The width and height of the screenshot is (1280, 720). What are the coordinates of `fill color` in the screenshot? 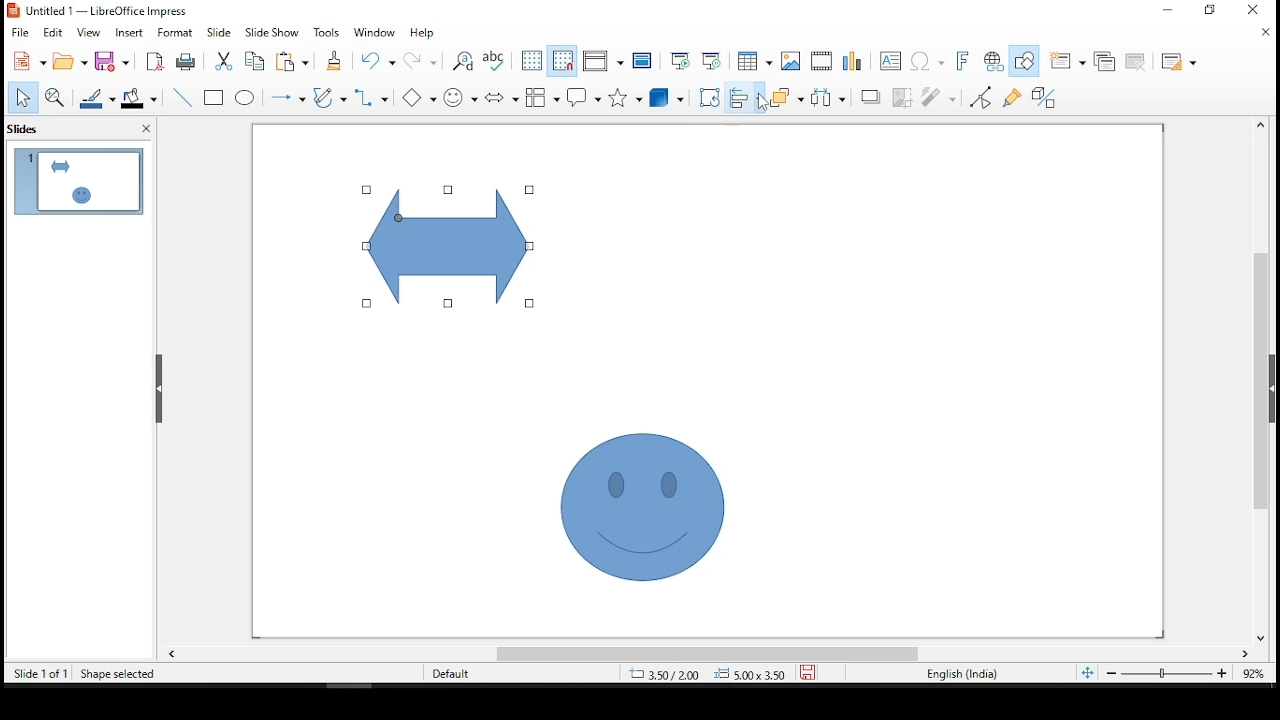 It's located at (139, 101).